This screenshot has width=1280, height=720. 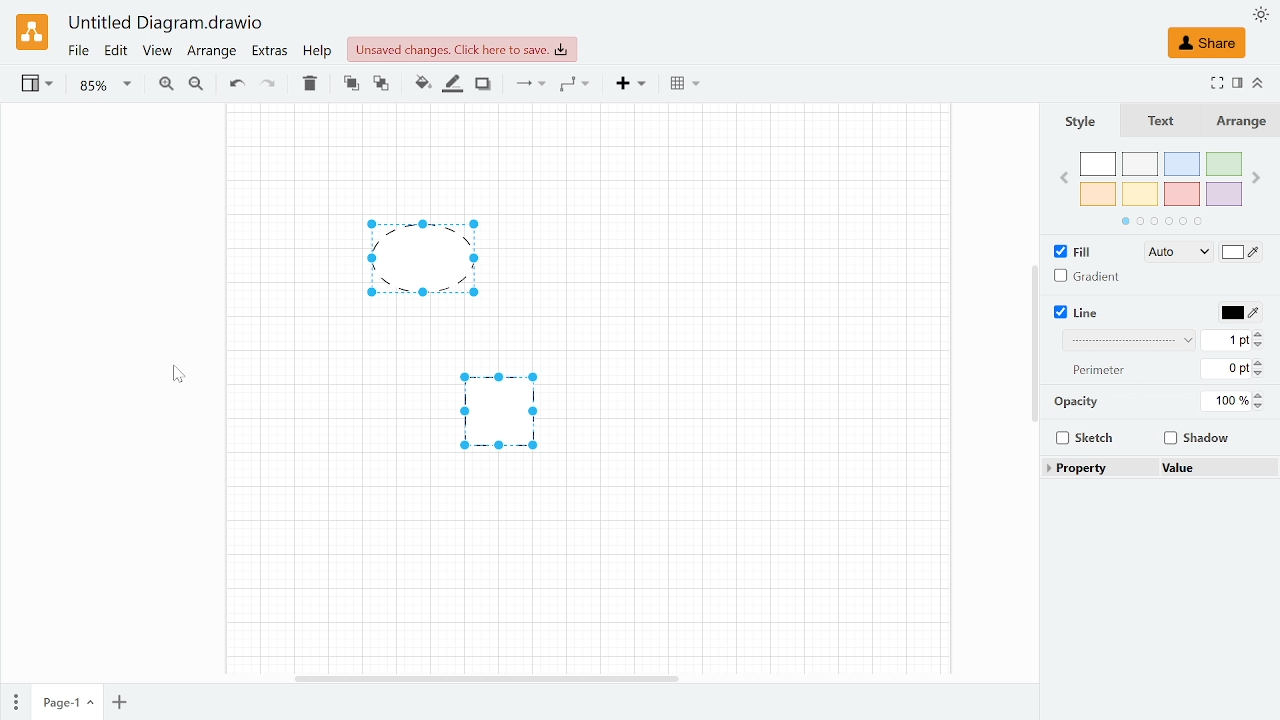 I want to click on next, so click(x=1258, y=177).